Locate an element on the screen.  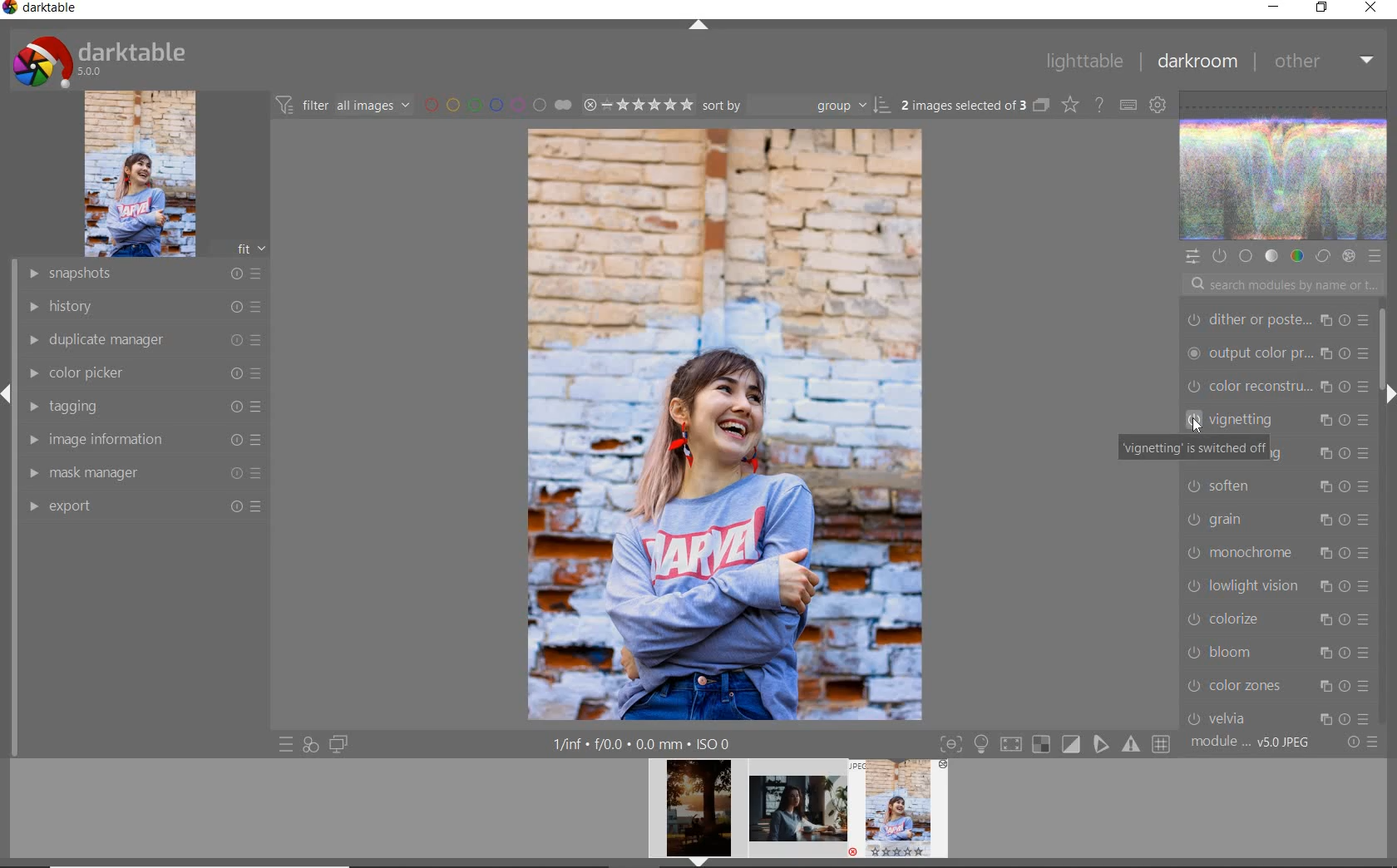
color picker is located at coordinates (143, 373).